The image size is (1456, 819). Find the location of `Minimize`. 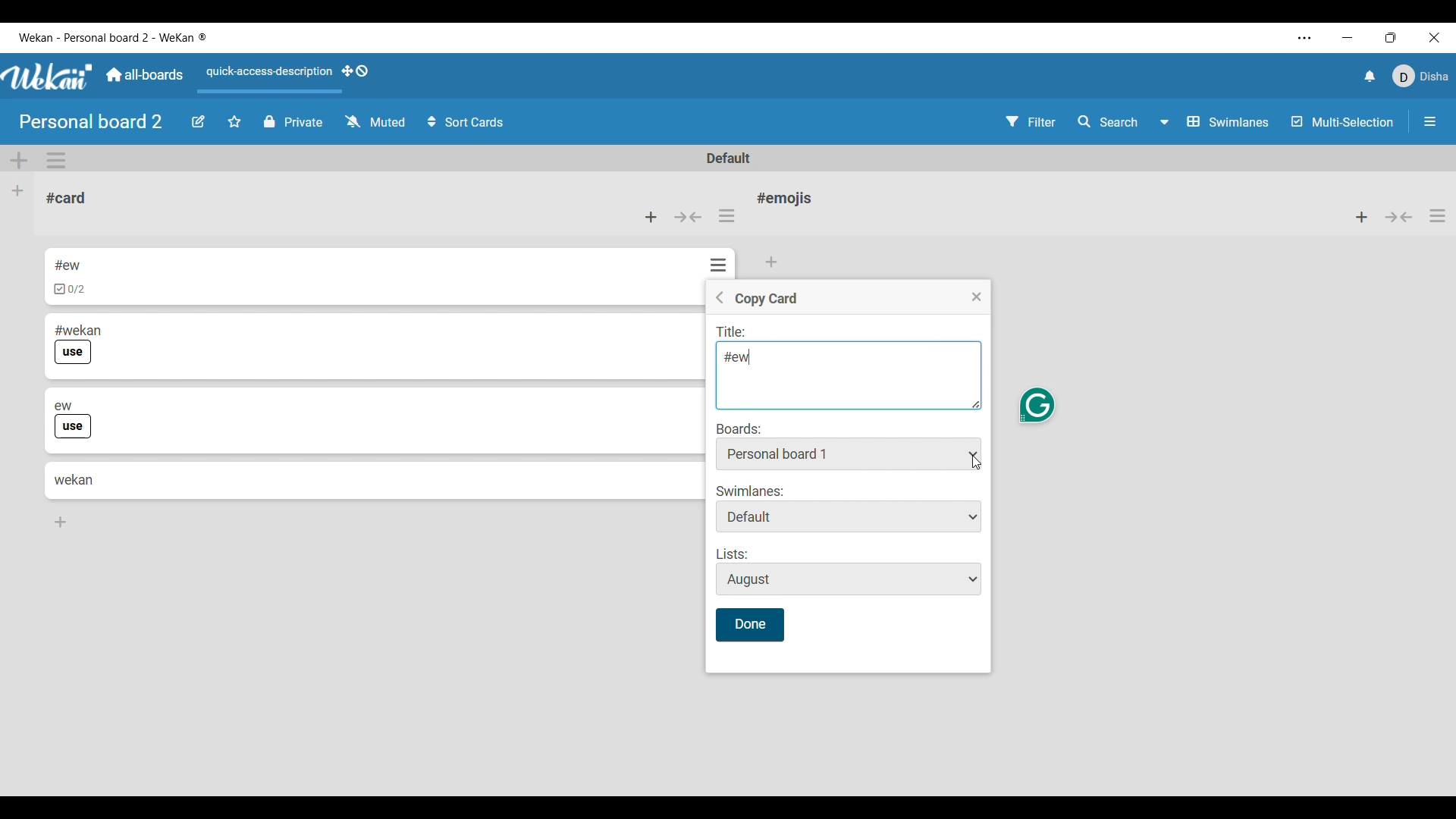

Minimize is located at coordinates (1348, 37).